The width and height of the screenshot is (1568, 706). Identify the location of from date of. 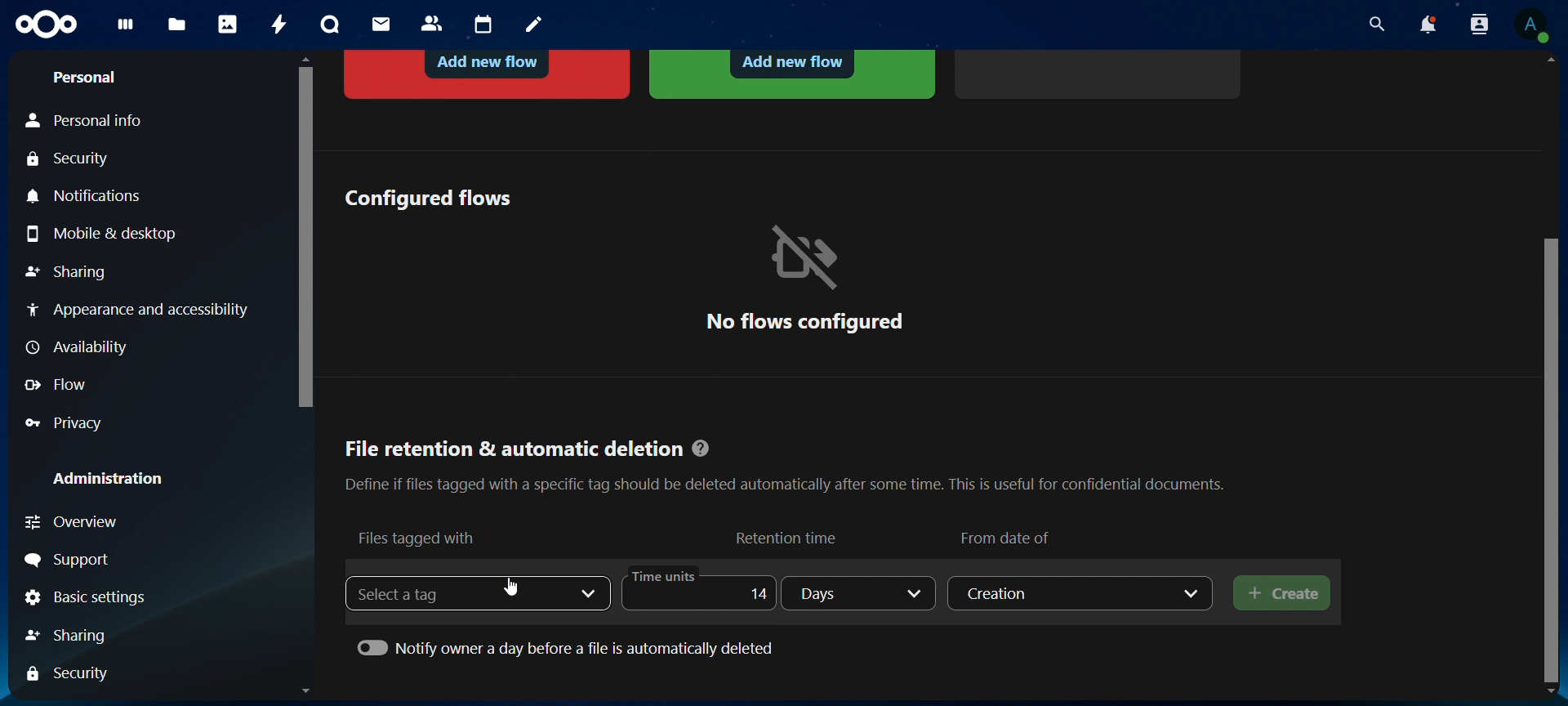
(1009, 535).